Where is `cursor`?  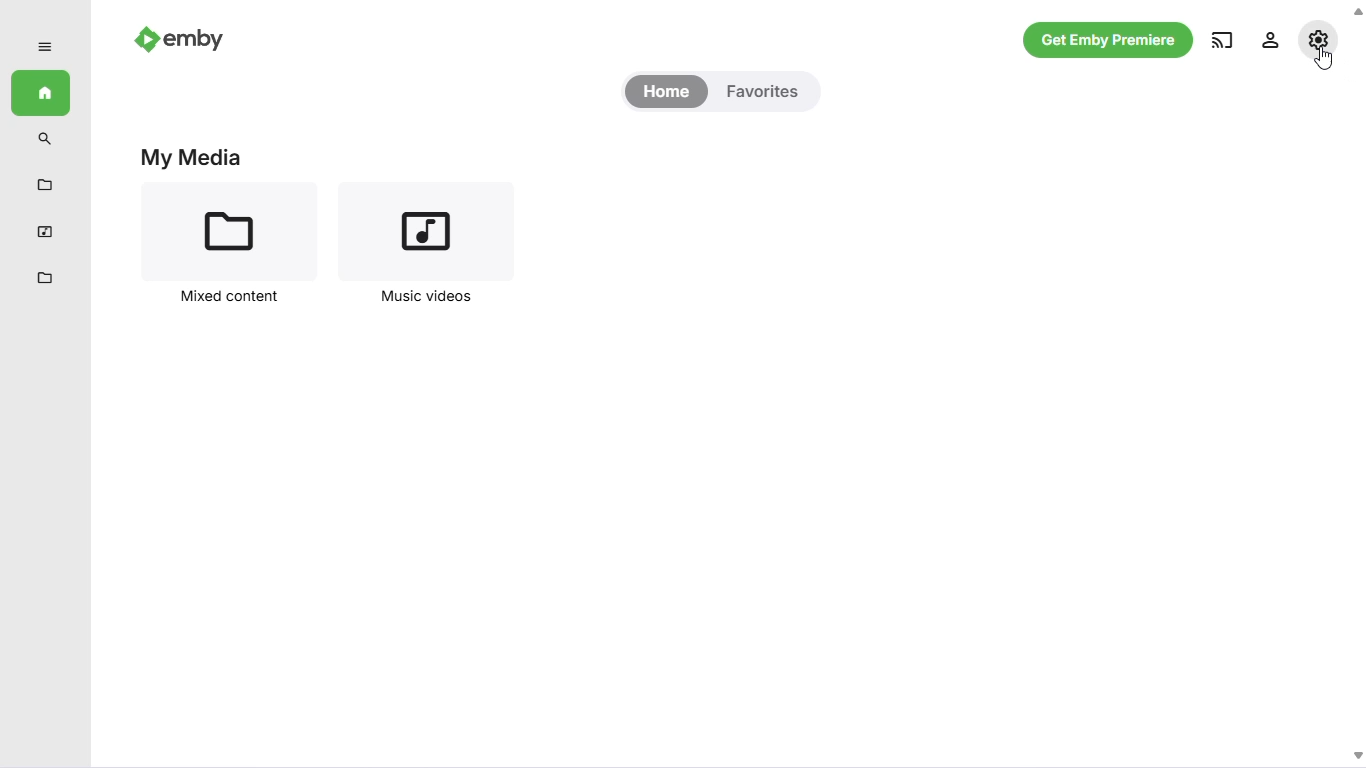
cursor is located at coordinates (1321, 59).